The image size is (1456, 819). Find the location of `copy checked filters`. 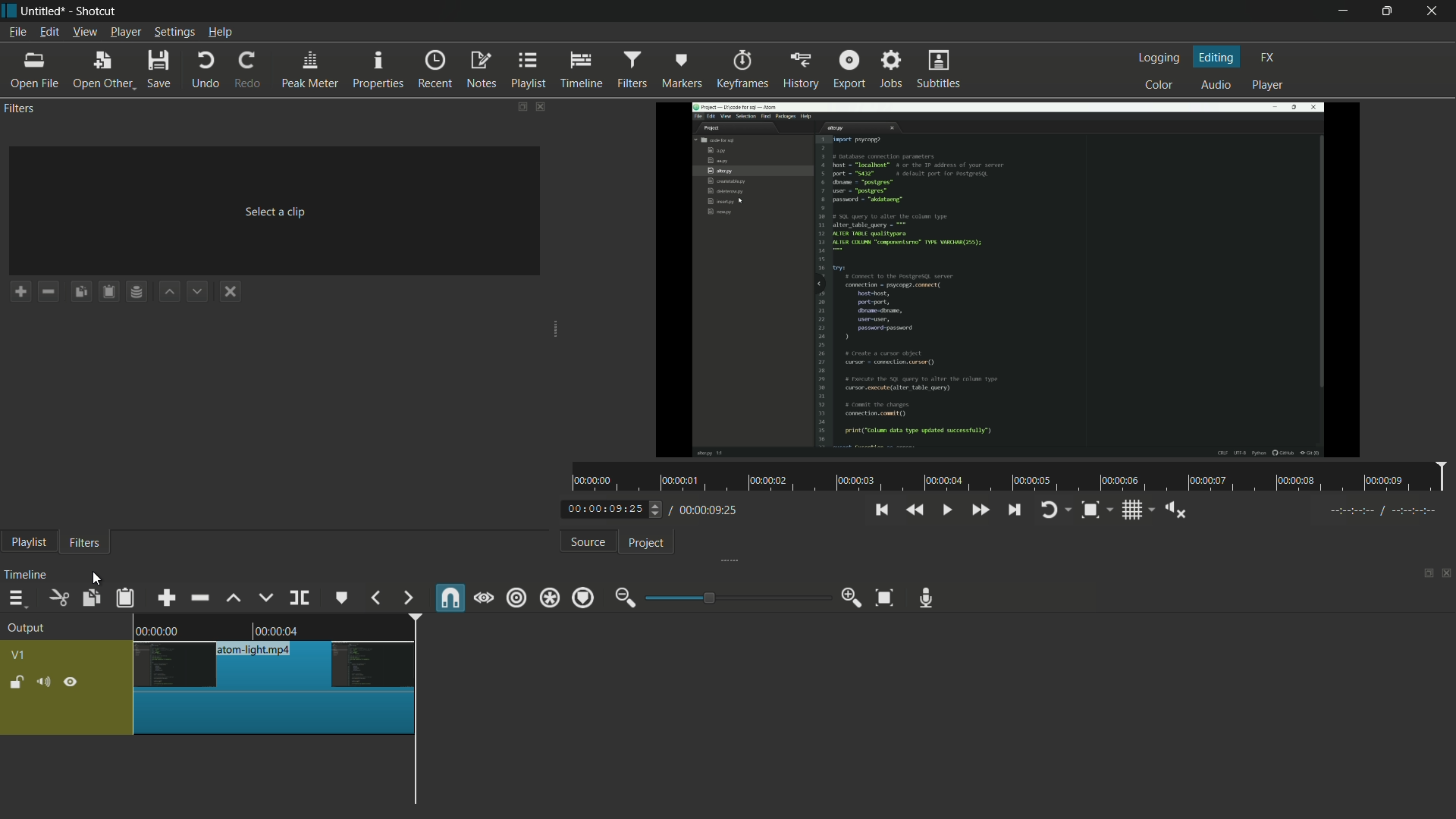

copy checked filters is located at coordinates (93, 598).